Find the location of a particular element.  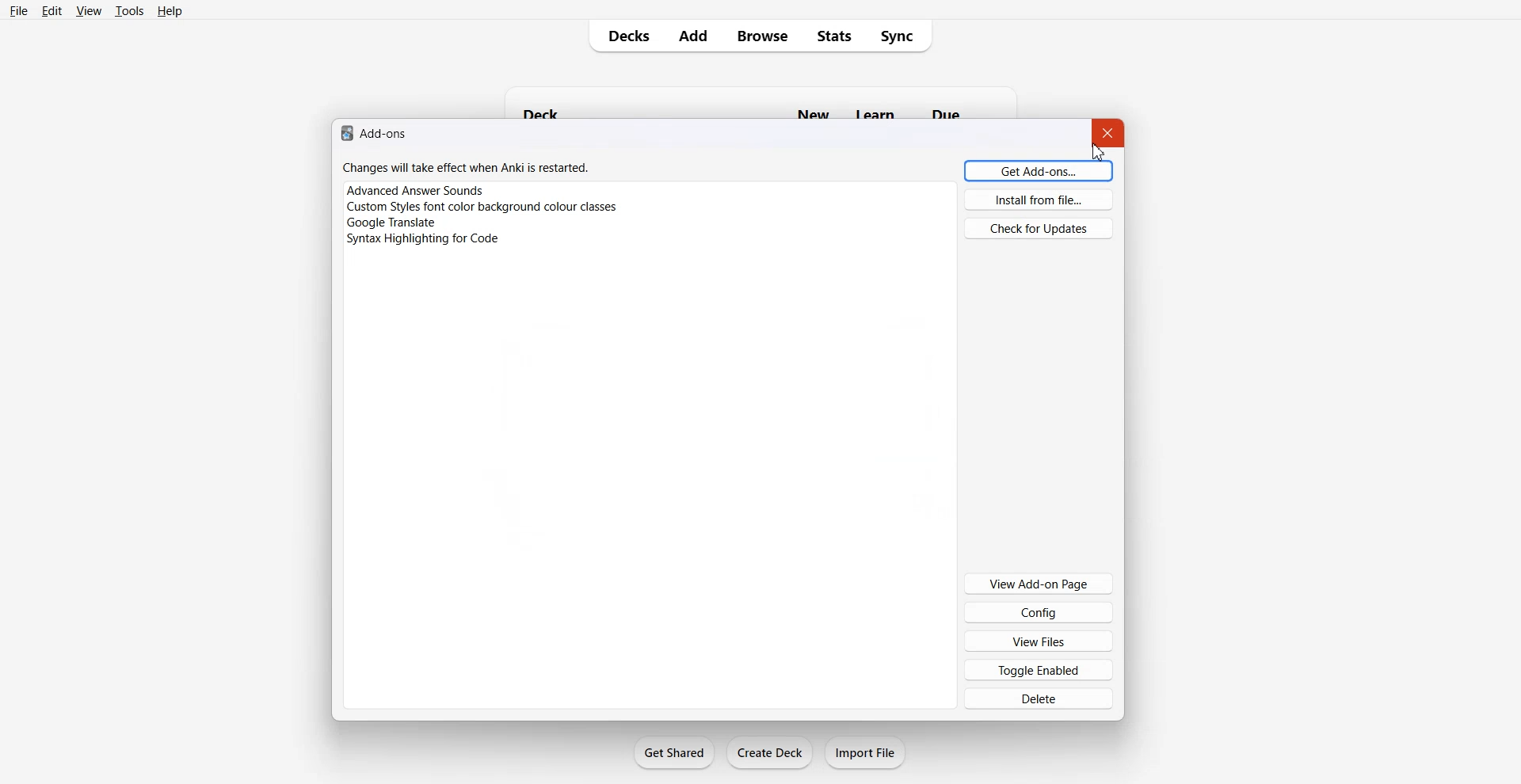

Browse is located at coordinates (763, 36).